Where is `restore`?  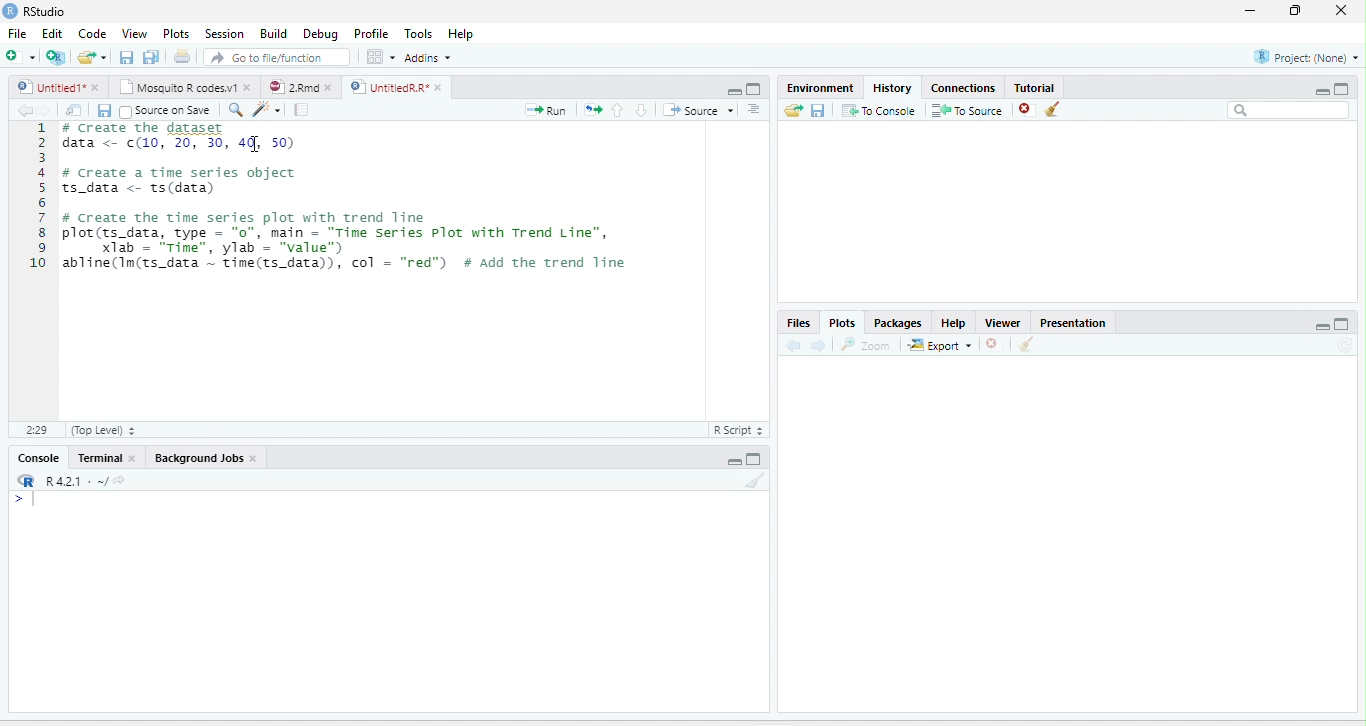 restore is located at coordinates (1296, 11).